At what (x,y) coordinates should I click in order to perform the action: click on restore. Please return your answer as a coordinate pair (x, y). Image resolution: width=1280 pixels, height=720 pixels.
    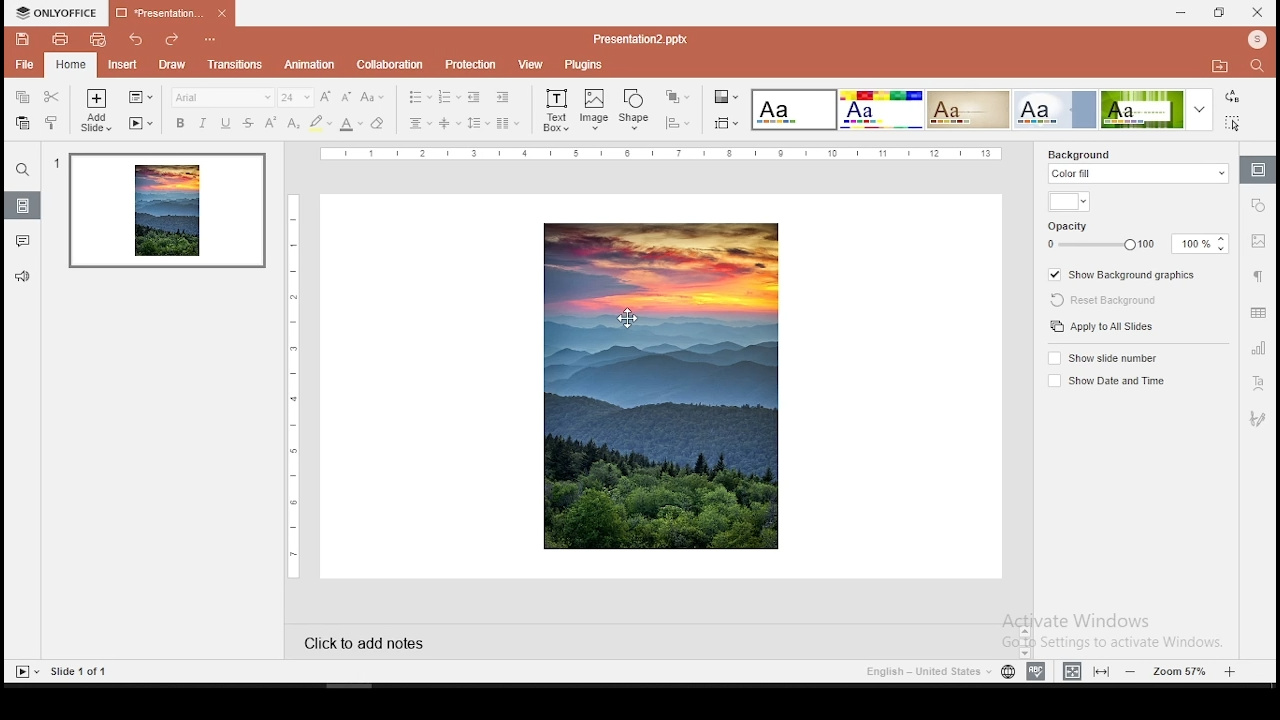
    Looking at the image, I should click on (1217, 12).